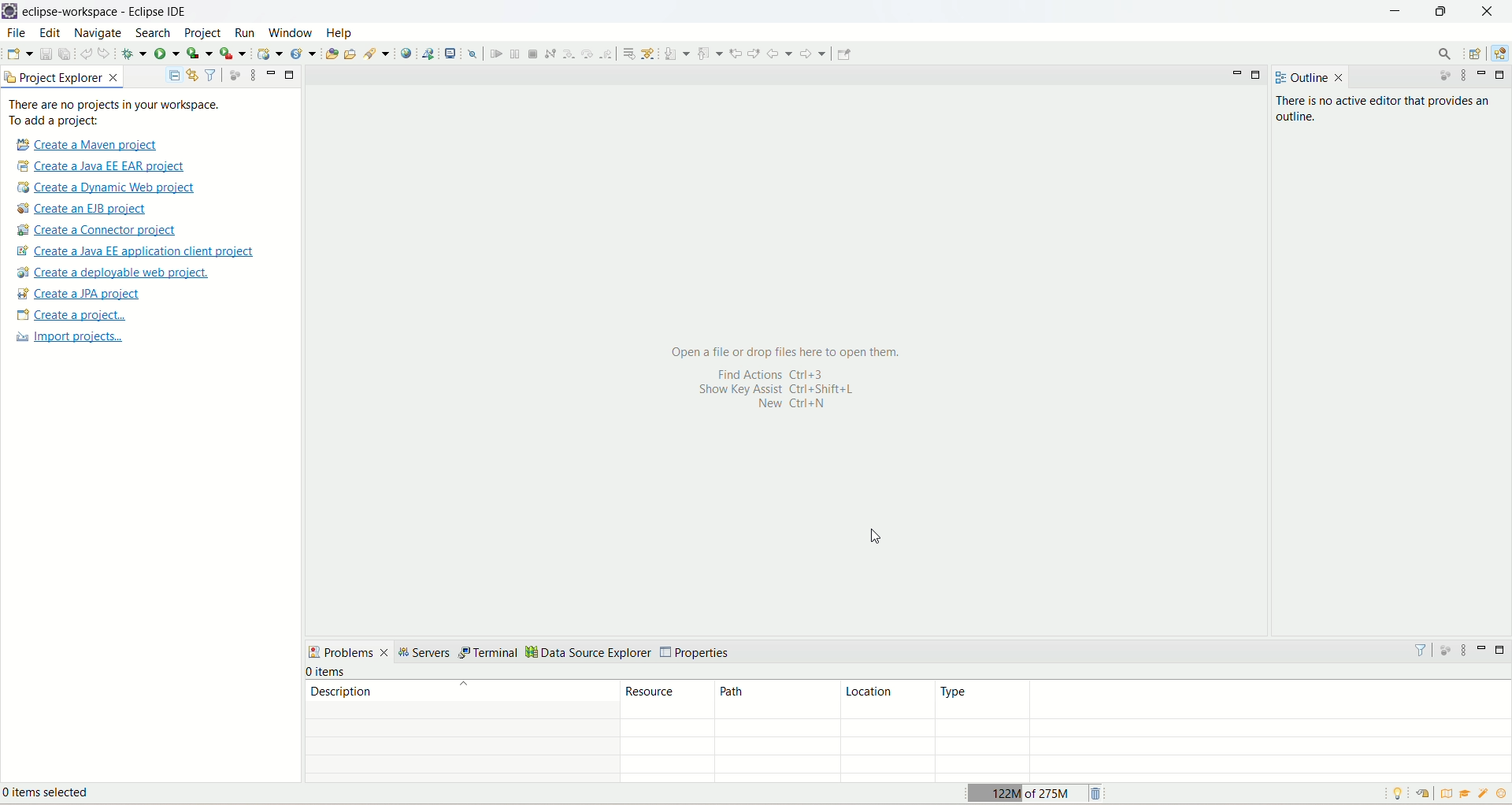 Image resolution: width=1512 pixels, height=805 pixels. What do you see at coordinates (1025, 792) in the screenshot?
I see `122M of 275M` at bounding box center [1025, 792].